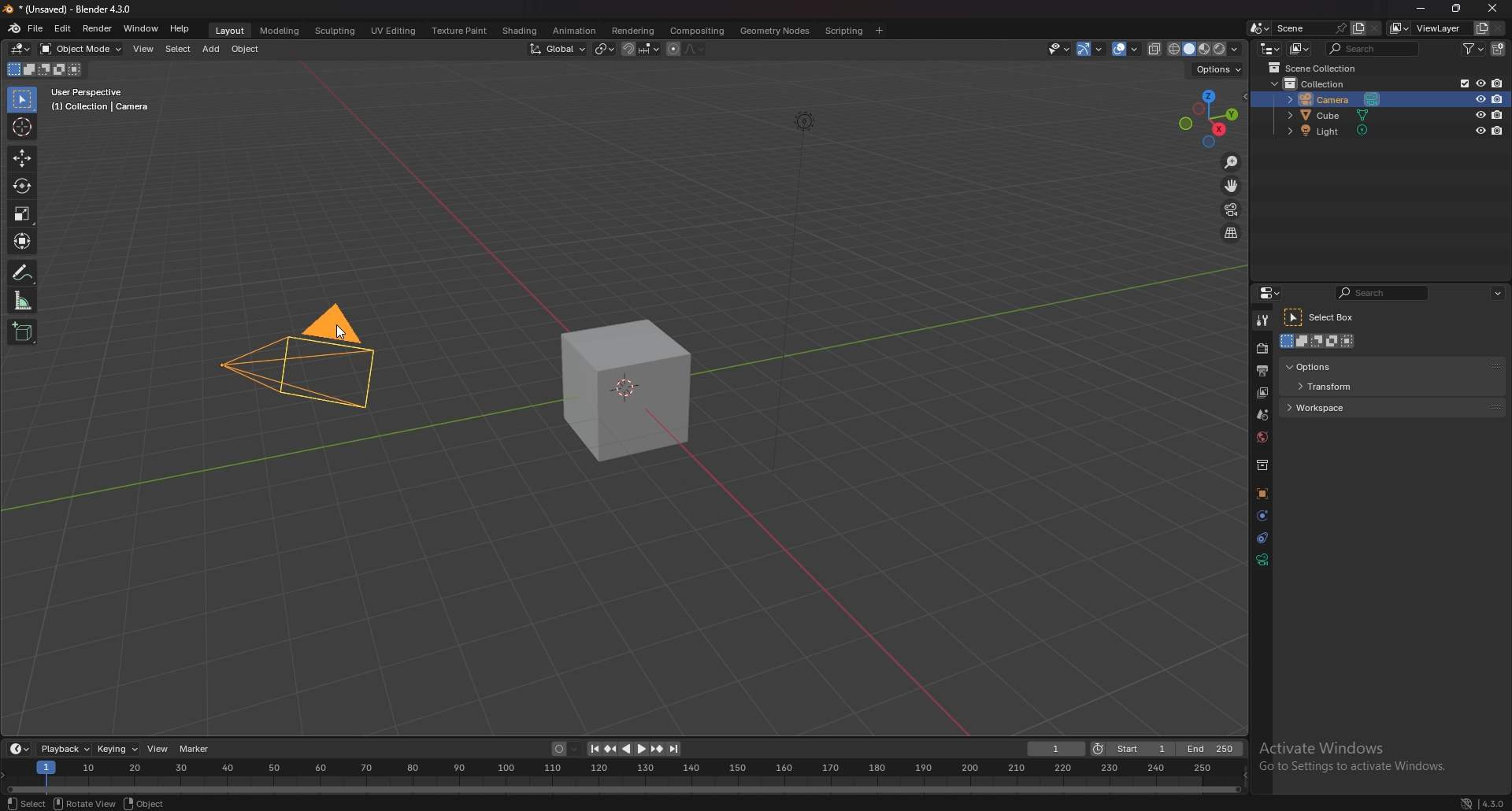 Image resolution: width=1512 pixels, height=811 pixels. What do you see at coordinates (565, 749) in the screenshot?
I see `auto keying` at bounding box center [565, 749].